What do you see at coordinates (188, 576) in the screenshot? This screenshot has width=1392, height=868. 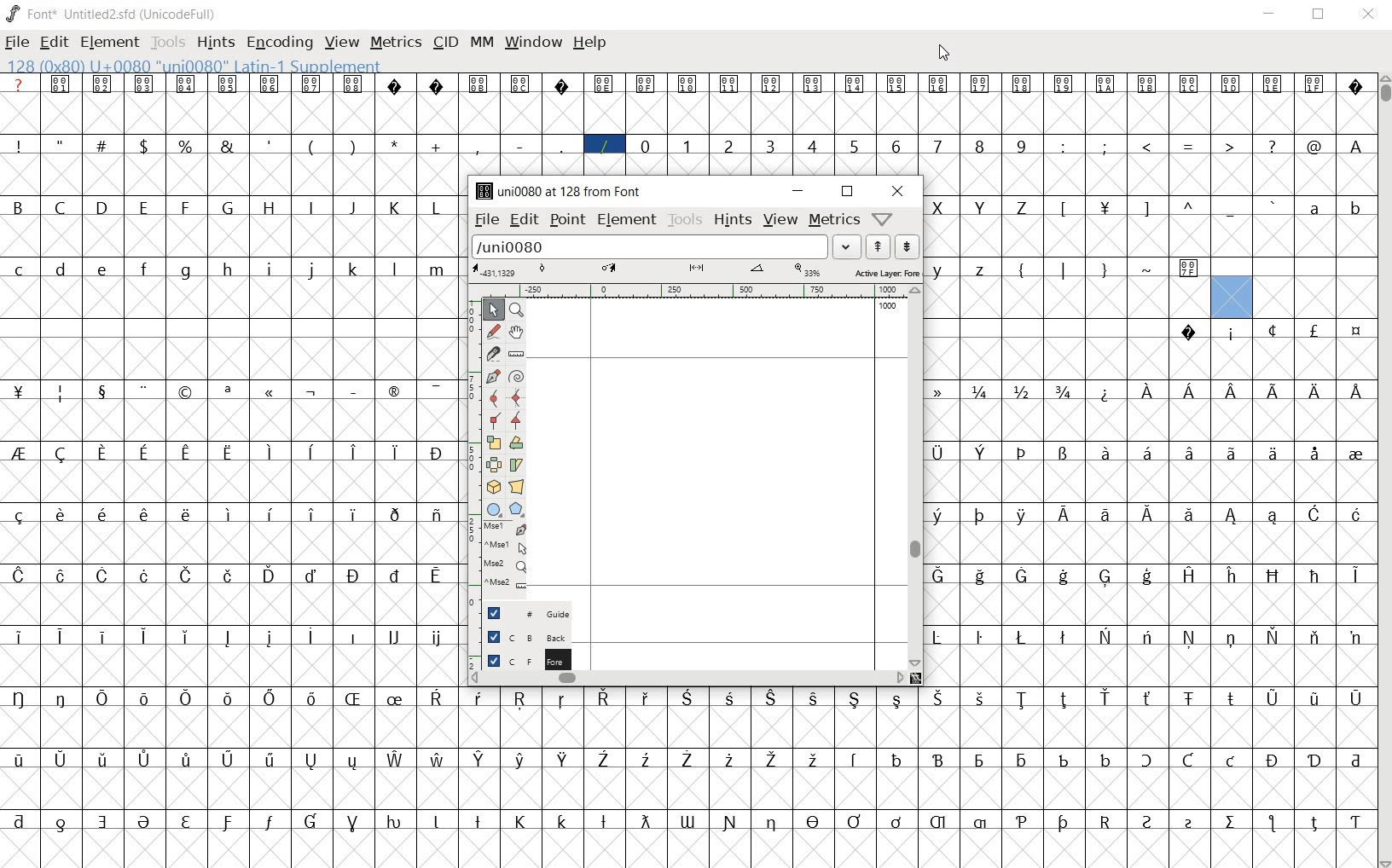 I see `glyph` at bounding box center [188, 576].